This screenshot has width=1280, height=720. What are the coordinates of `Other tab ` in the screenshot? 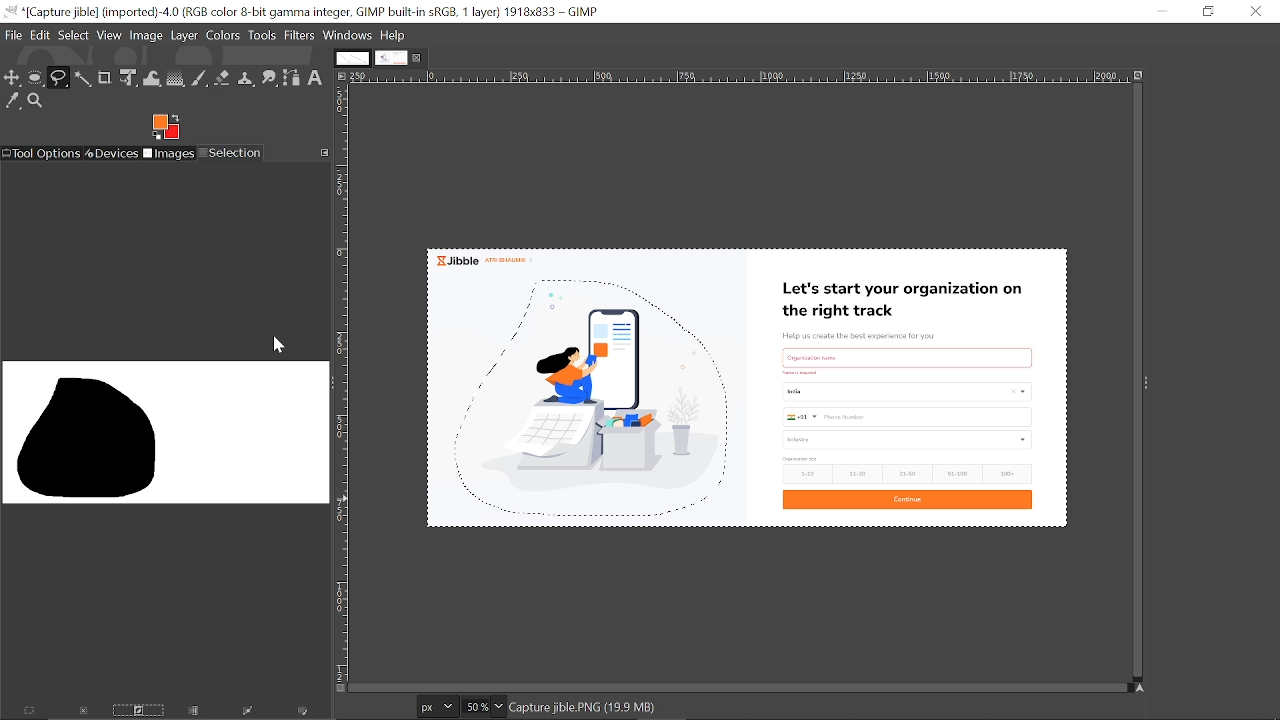 It's located at (353, 58).